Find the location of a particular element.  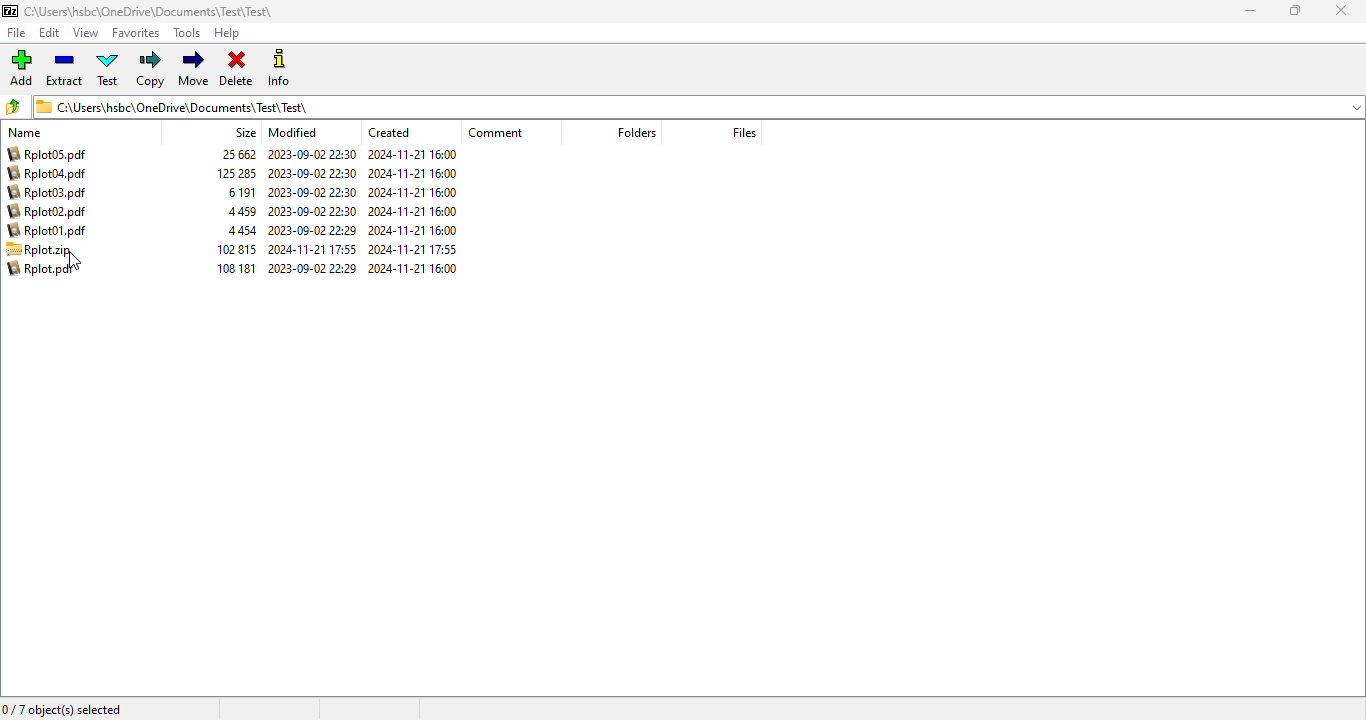

current folder is located at coordinates (698, 106).